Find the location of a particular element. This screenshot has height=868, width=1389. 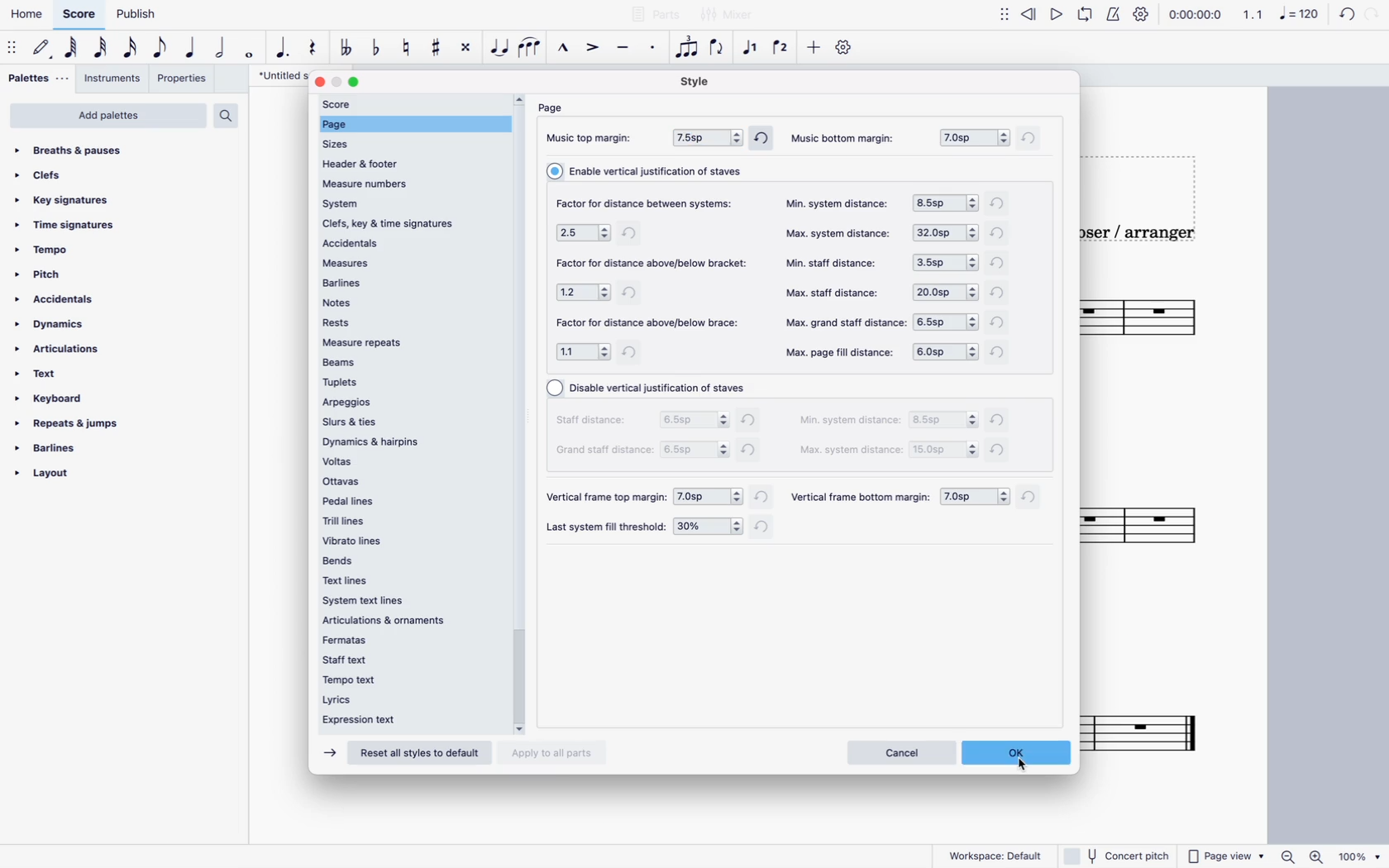

refresh is located at coordinates (634, 355).